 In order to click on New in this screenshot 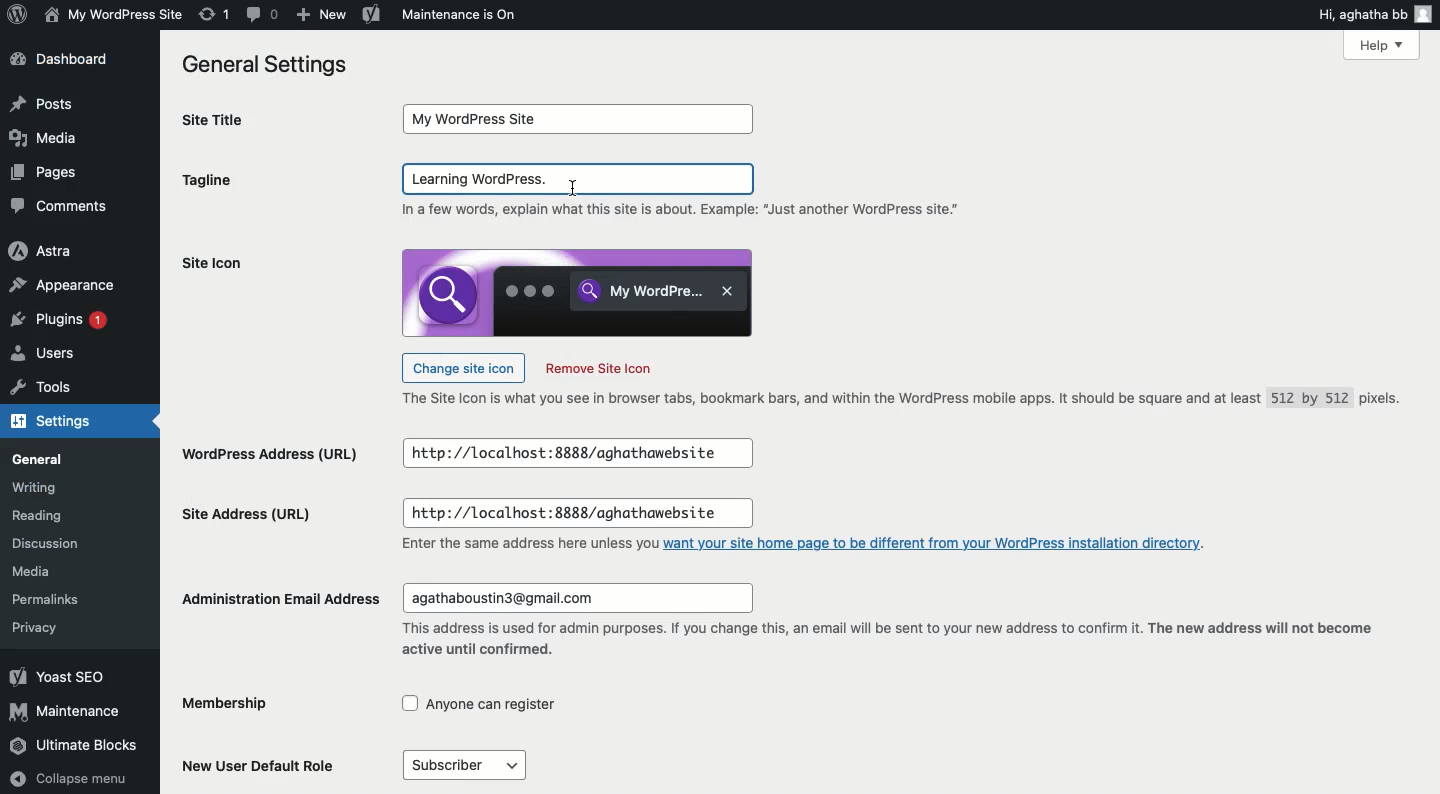, I will do `click(319, 15)`.